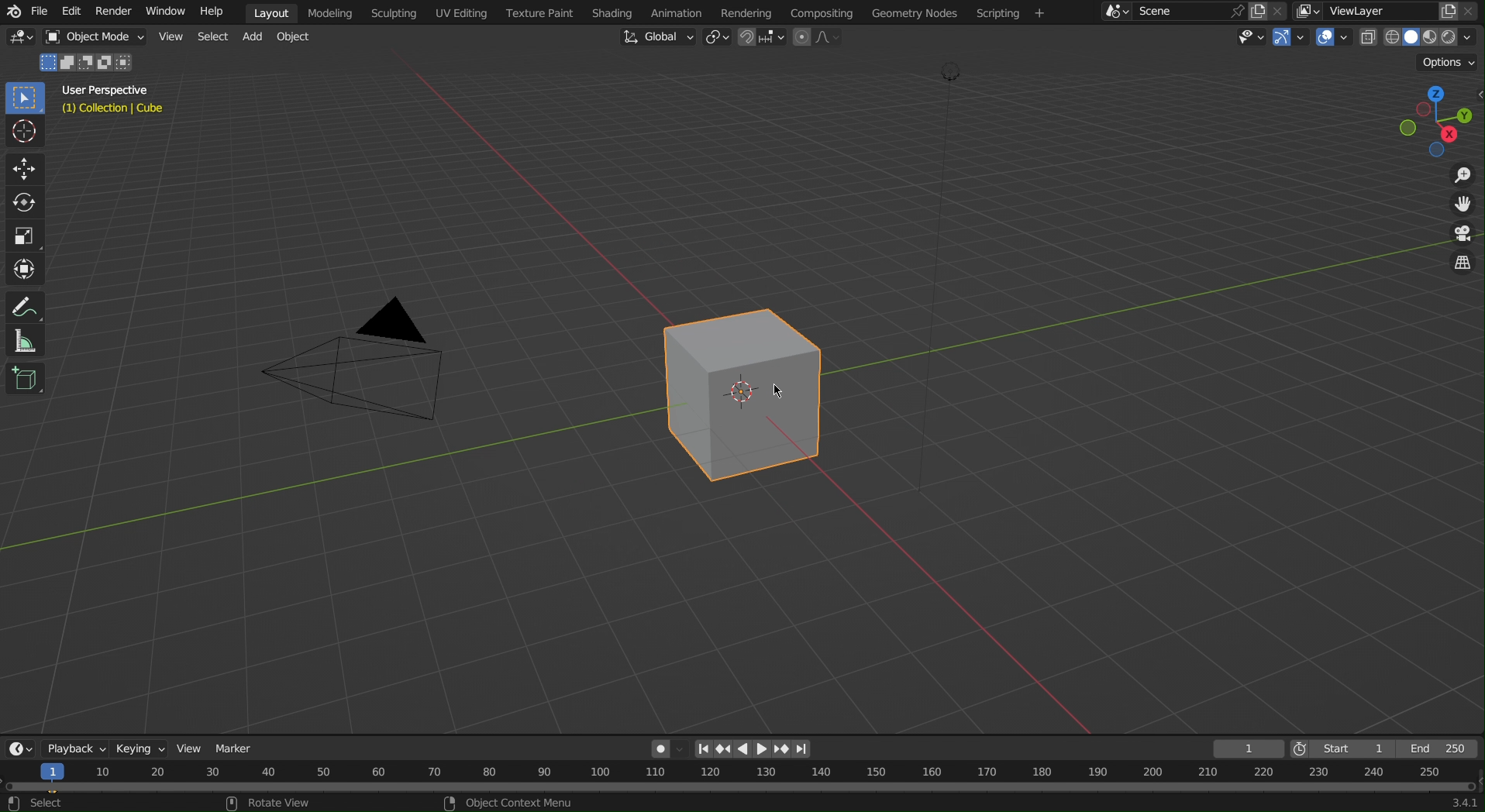 The width and height of the screenshot is (1485, 812). What do you see at coordinates (108, 62) in the screenshot?
I see `merge with no common thing` at bounding box center [108, 62].